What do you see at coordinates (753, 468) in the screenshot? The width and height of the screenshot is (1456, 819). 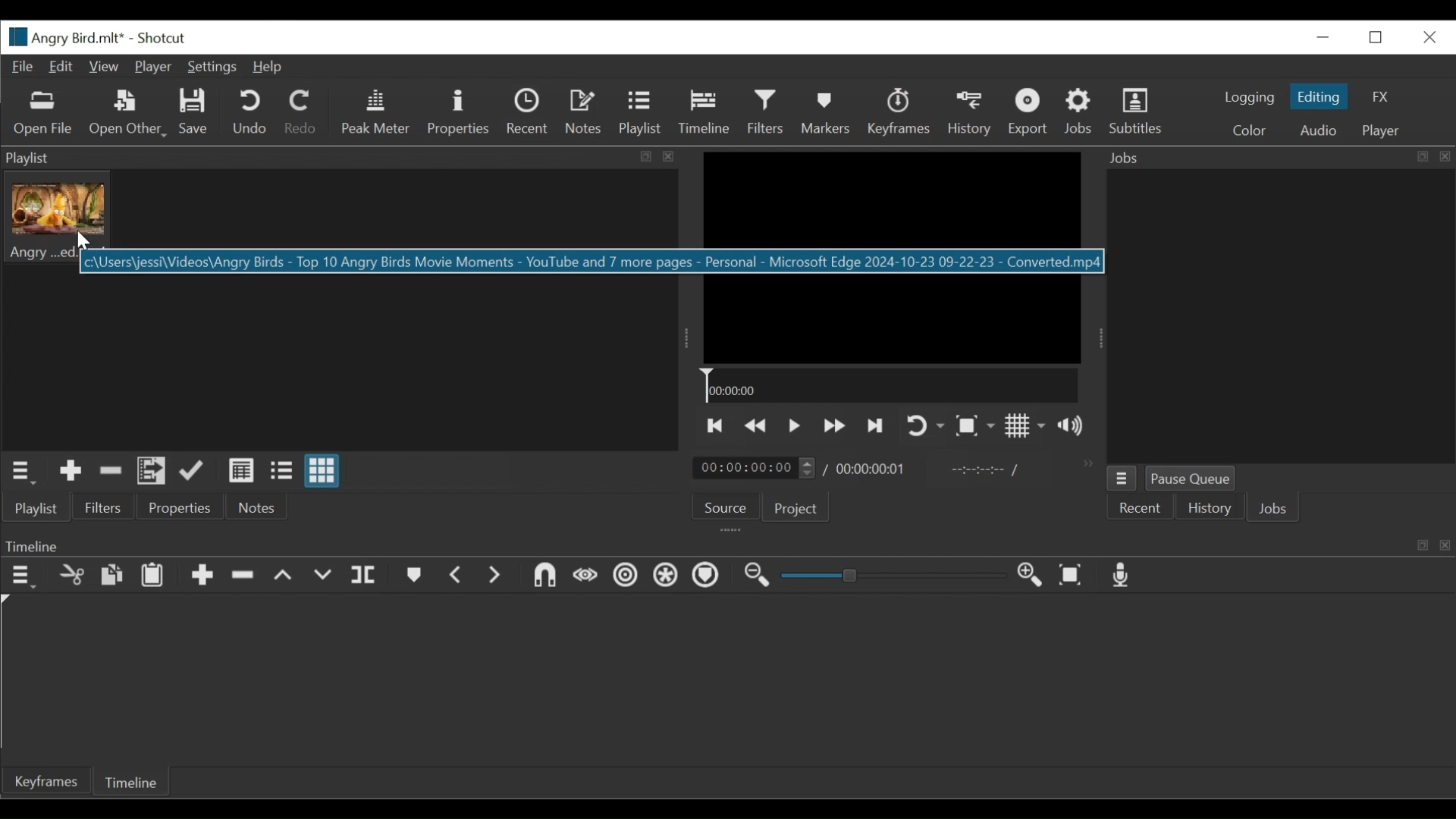 I see `Current duration` at bounding box center [753, 468].